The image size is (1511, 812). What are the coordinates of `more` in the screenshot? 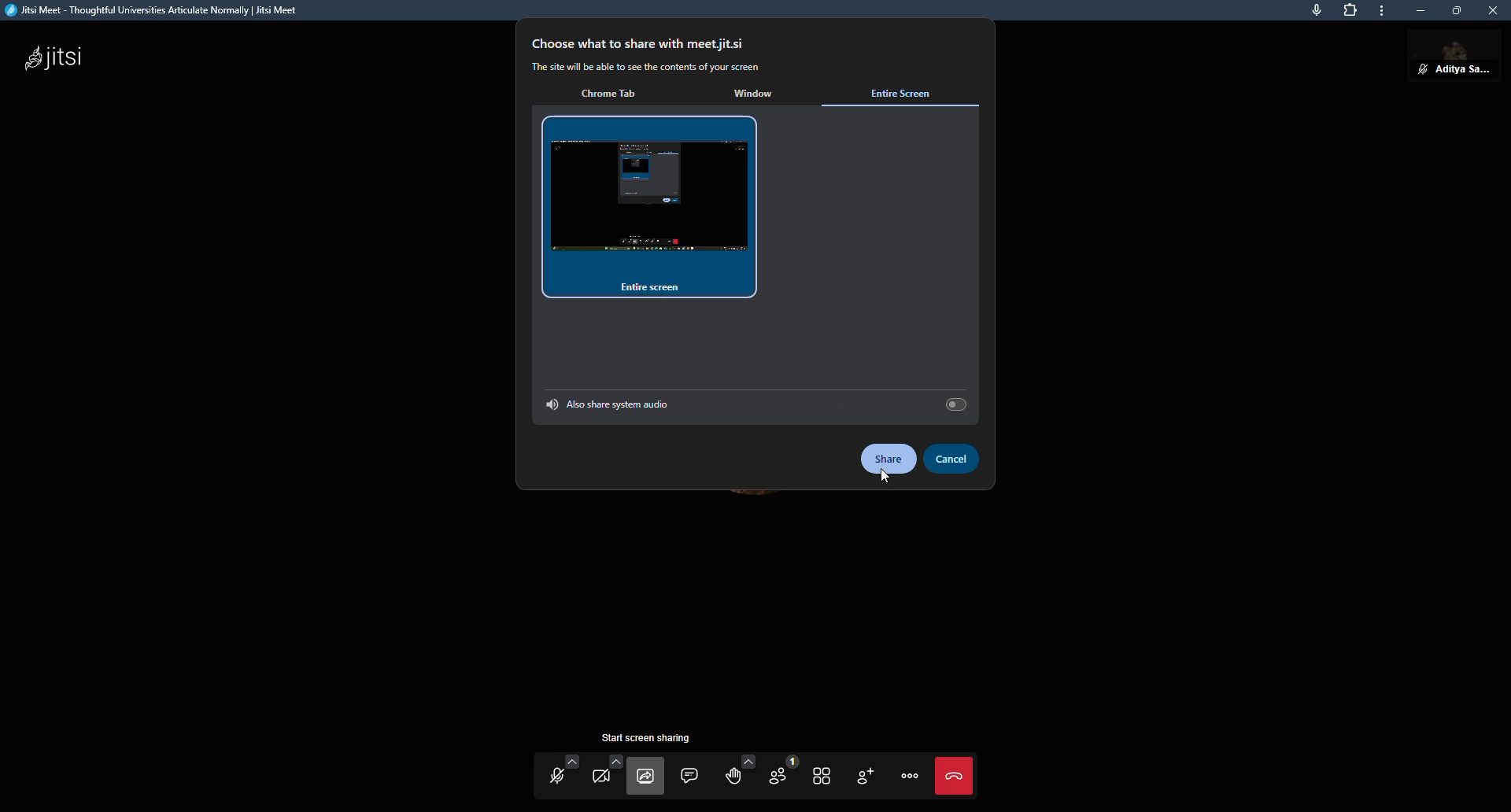 It's located at (1381, 11).